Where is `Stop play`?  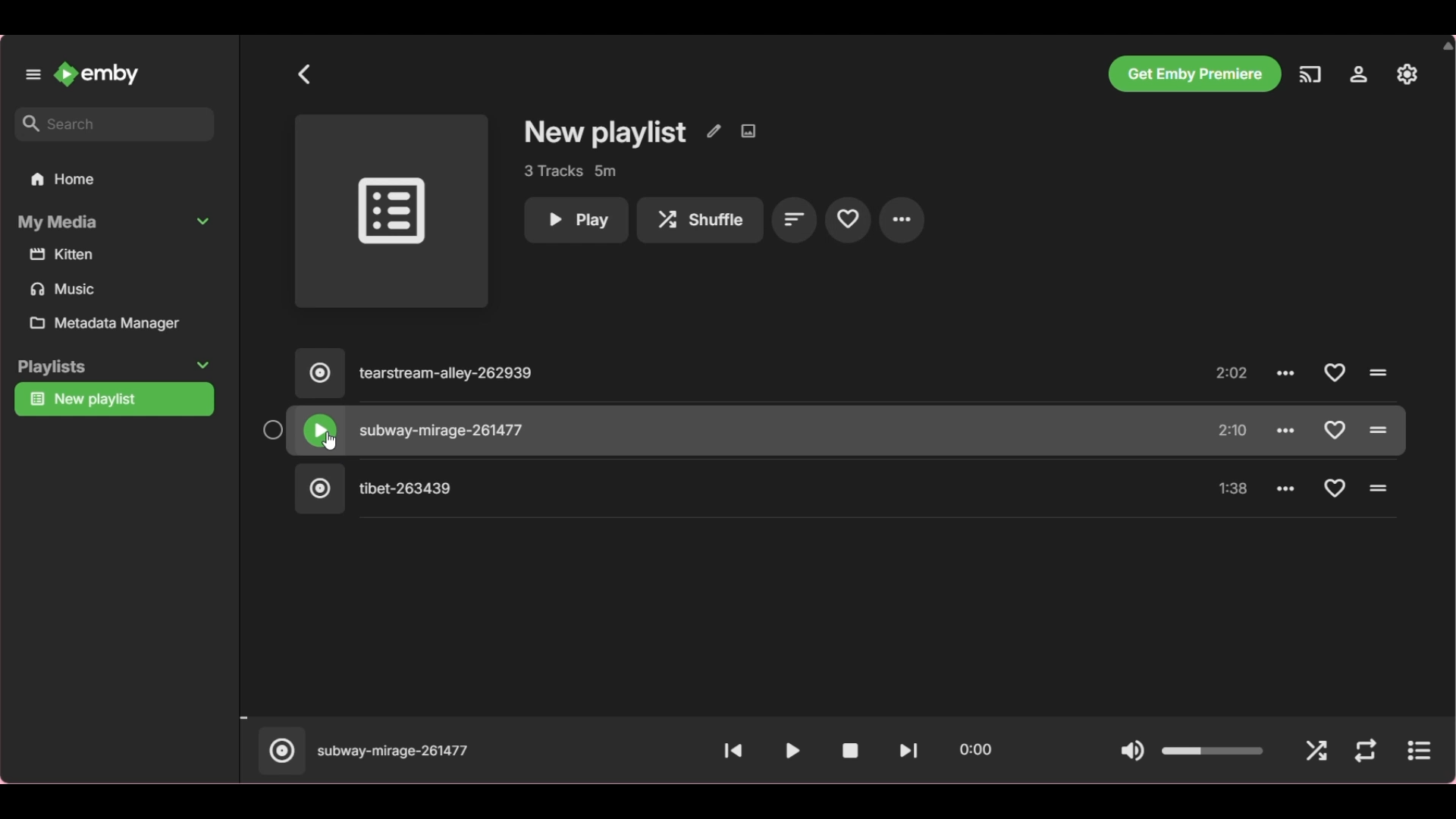
Stop play is located at coordinates (850, 751).